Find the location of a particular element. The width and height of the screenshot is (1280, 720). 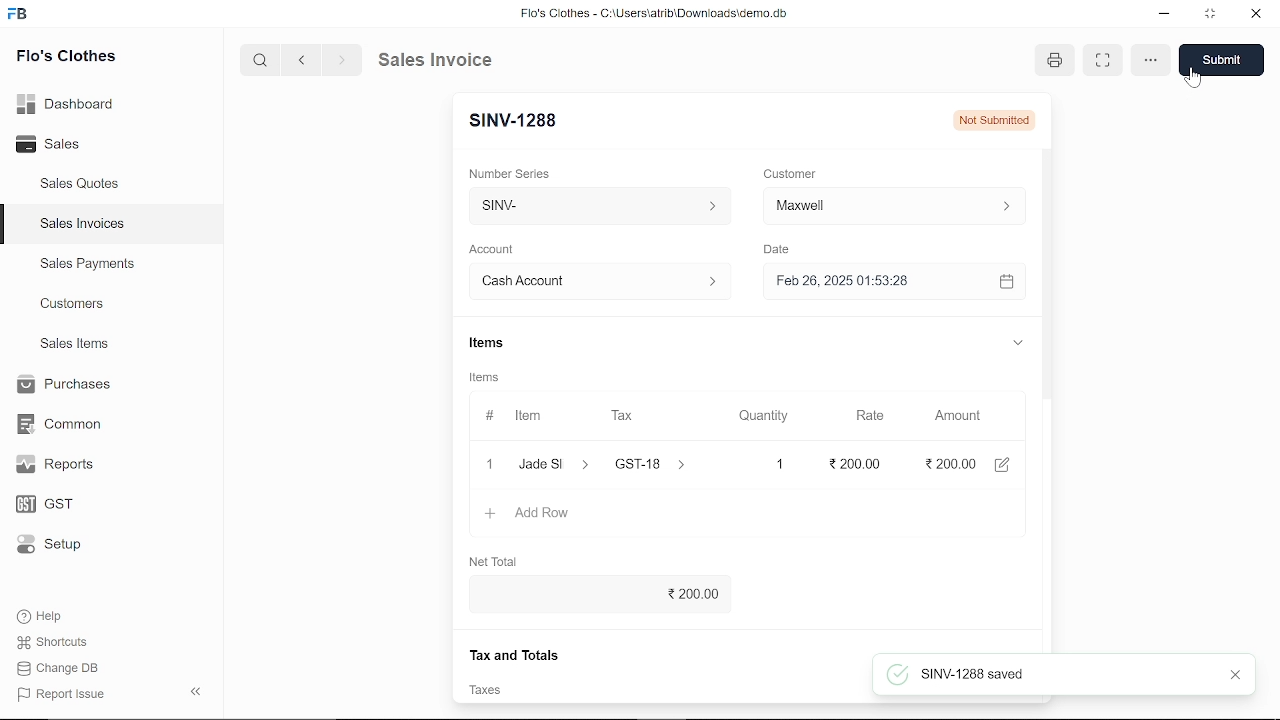

close is located at coordinates (488, 463).